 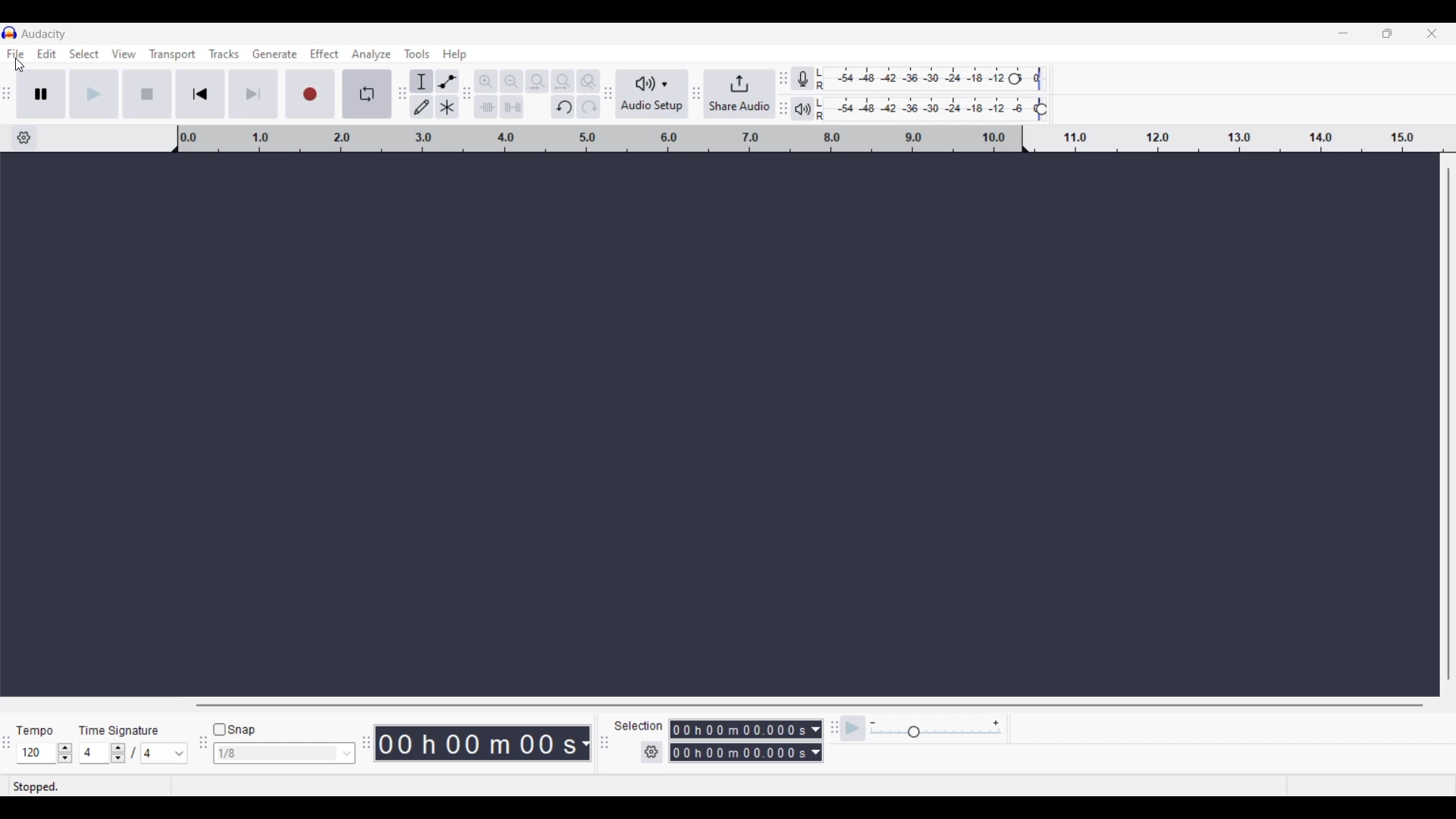 I want to click on Increase/Decrease tempo, so click(x=65, y=753).